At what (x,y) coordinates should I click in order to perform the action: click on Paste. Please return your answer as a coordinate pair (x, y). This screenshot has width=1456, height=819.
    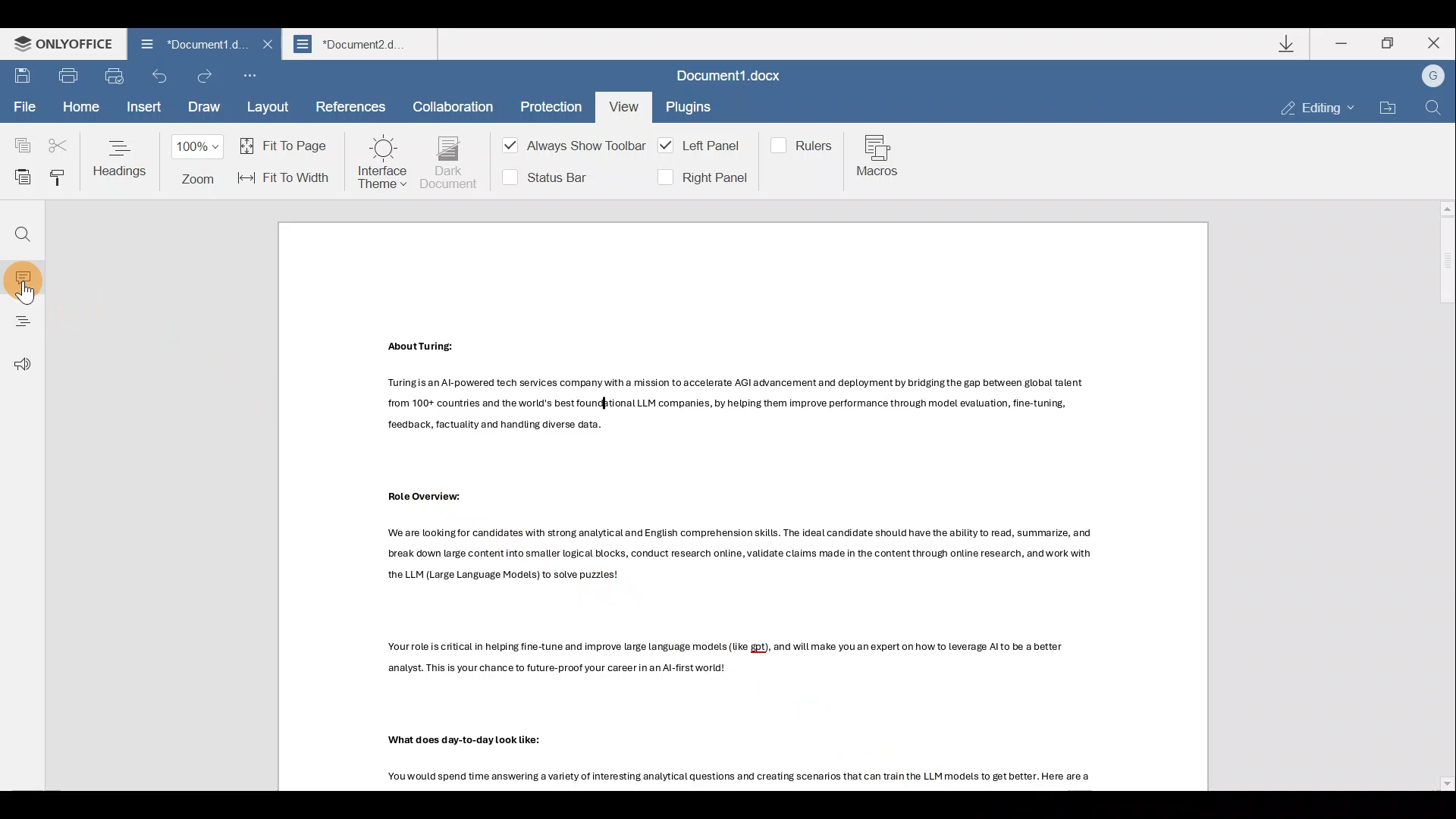
    Looking at the image, I should click on (18, 174).